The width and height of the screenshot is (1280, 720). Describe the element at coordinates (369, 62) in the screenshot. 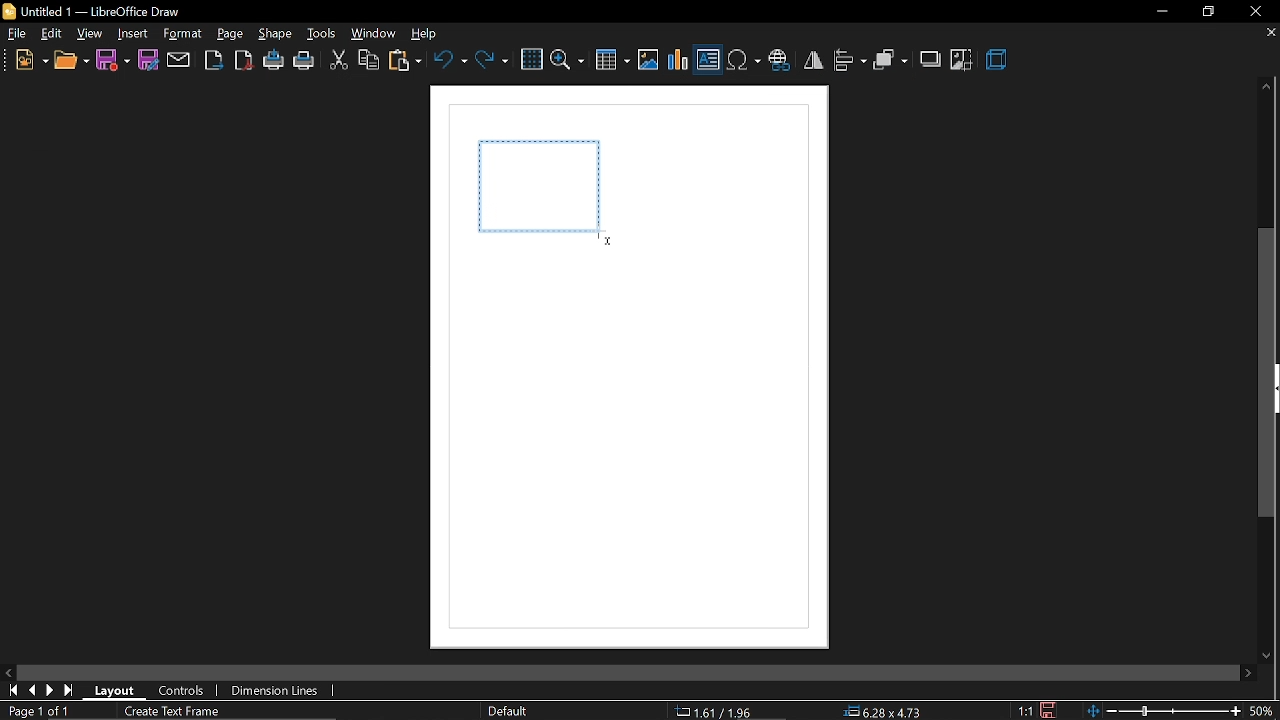

I see `copy` at that location.